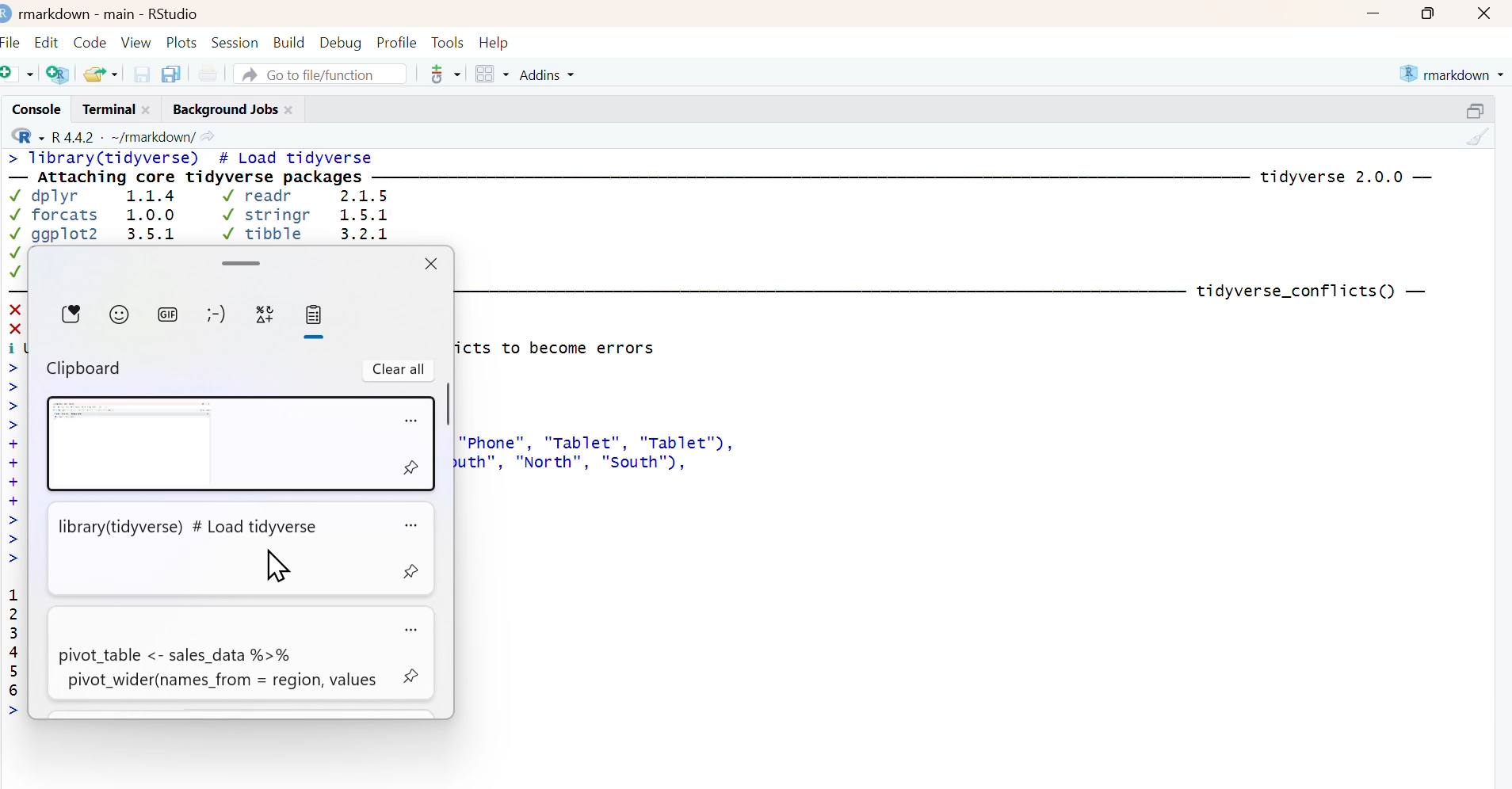 The image size is (1512, 789). Describe the element at coordinates (90, 365) in the screenshot. I see `Clipboard` at that location.